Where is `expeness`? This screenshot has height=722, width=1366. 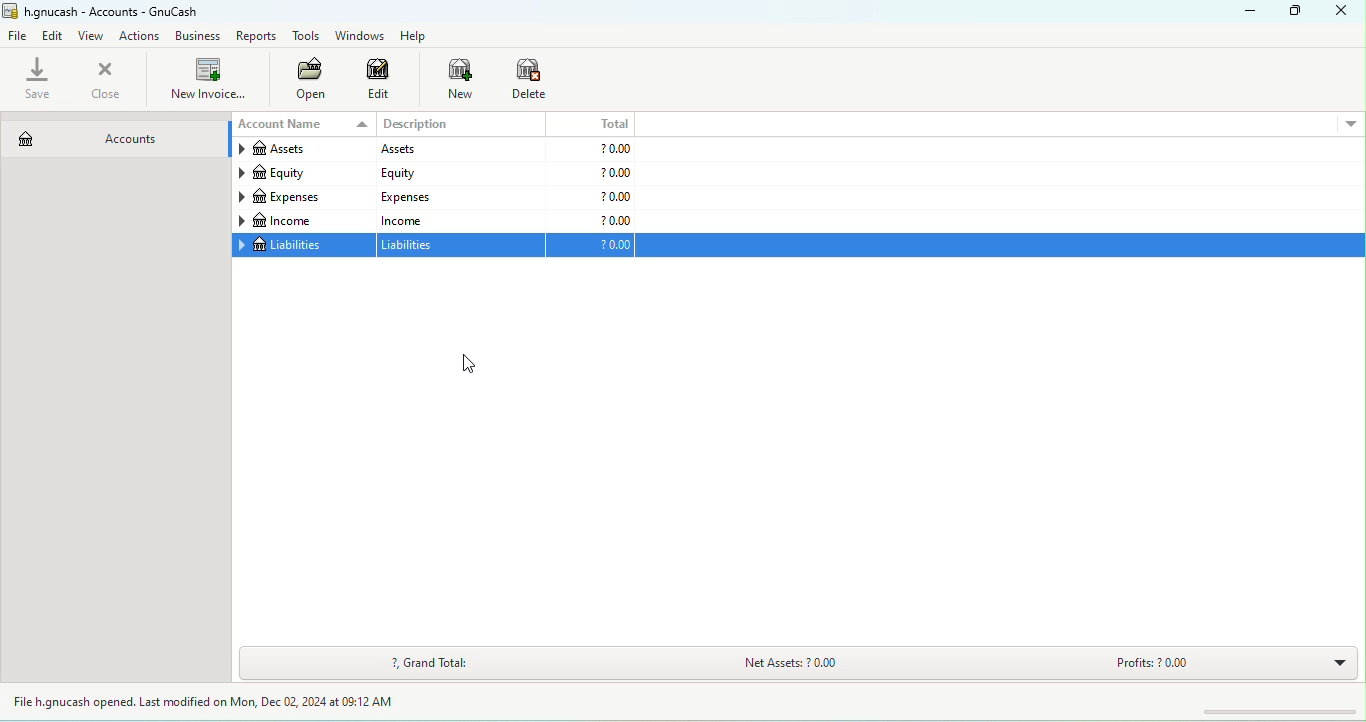
expeness is located at coordinates (457, 196).